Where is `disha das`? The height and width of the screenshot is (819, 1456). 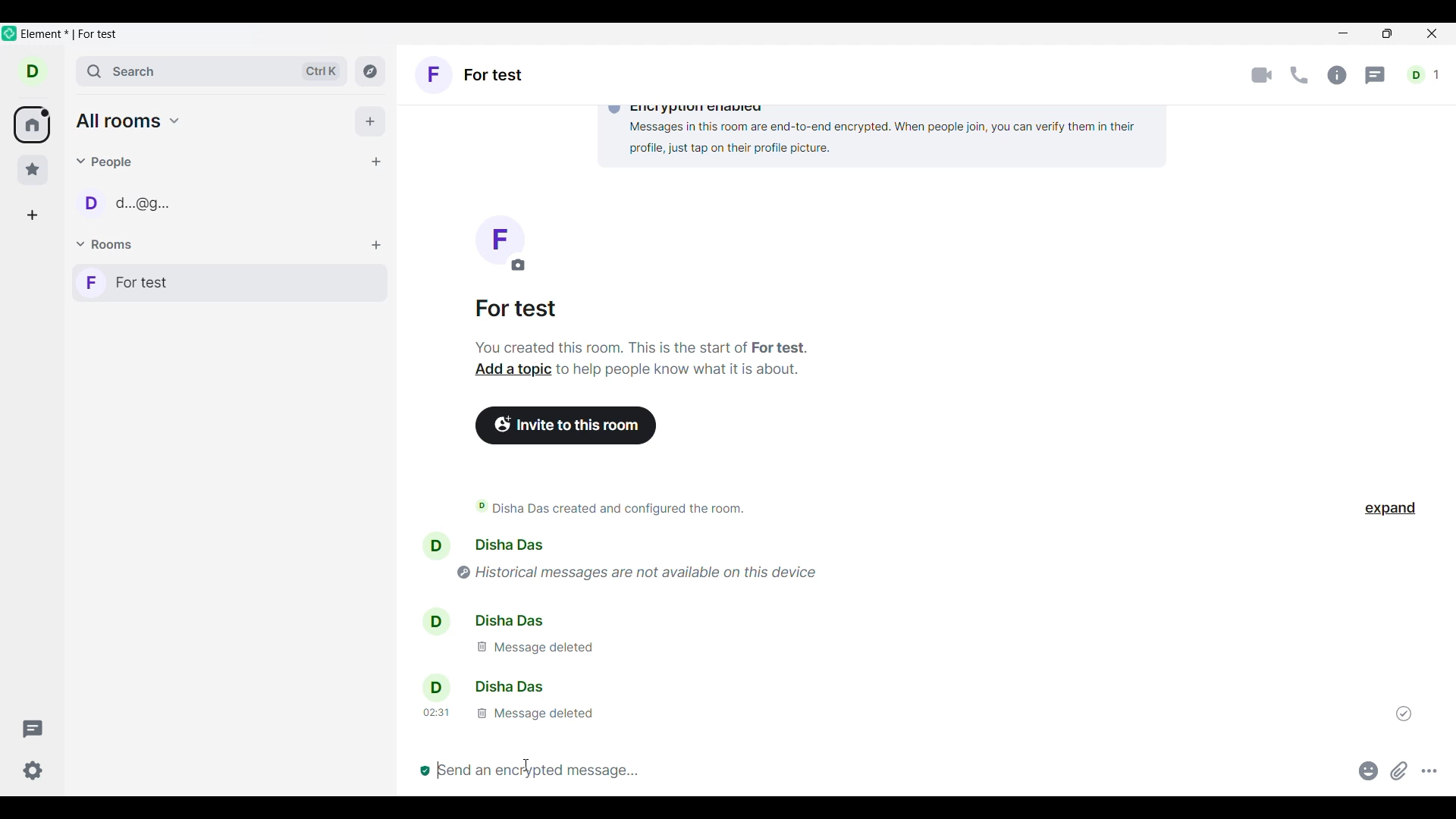 disha das is located at coordinates (505, 617).